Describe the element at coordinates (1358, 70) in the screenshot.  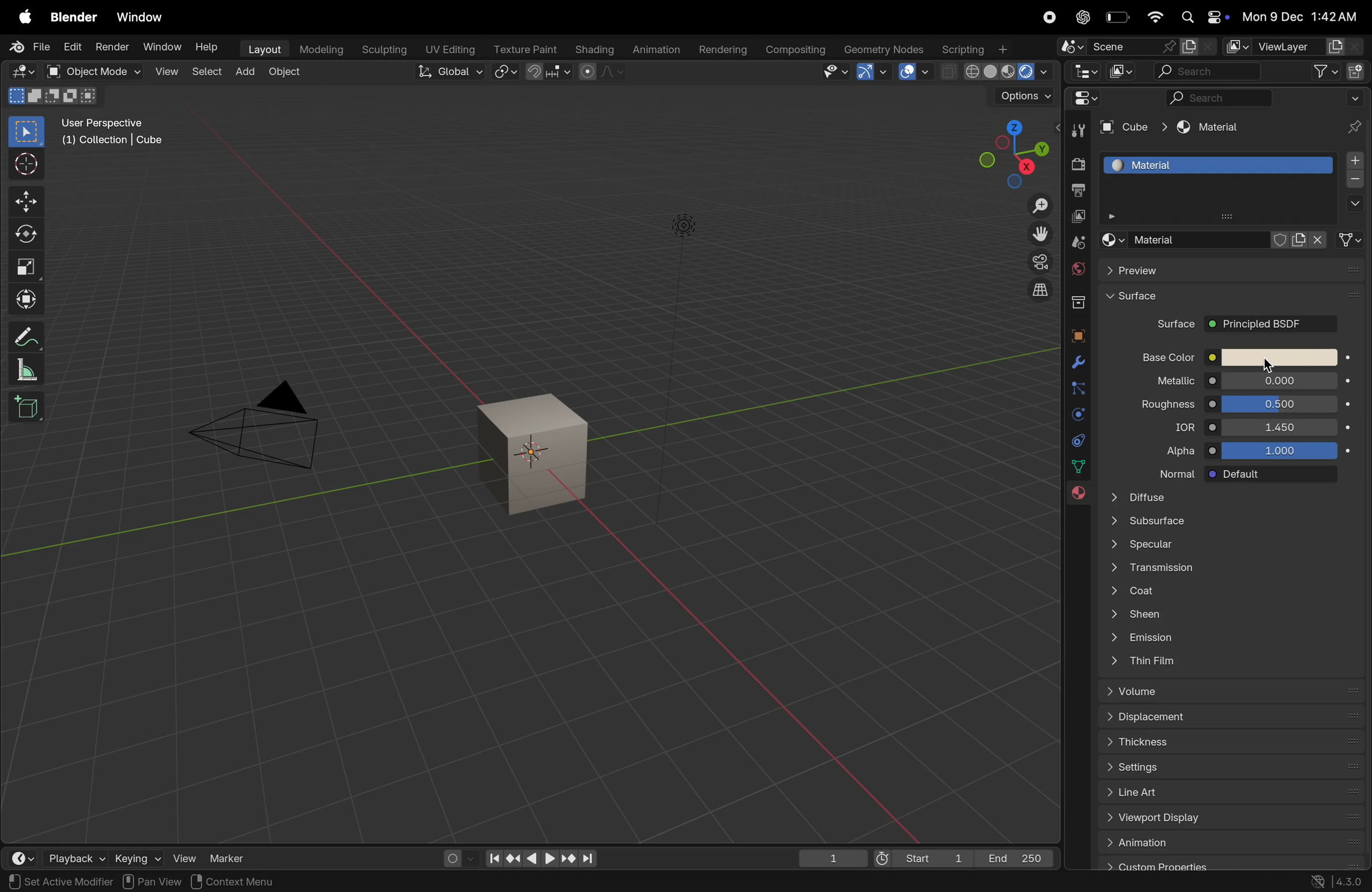
I see `new collection` at that location.